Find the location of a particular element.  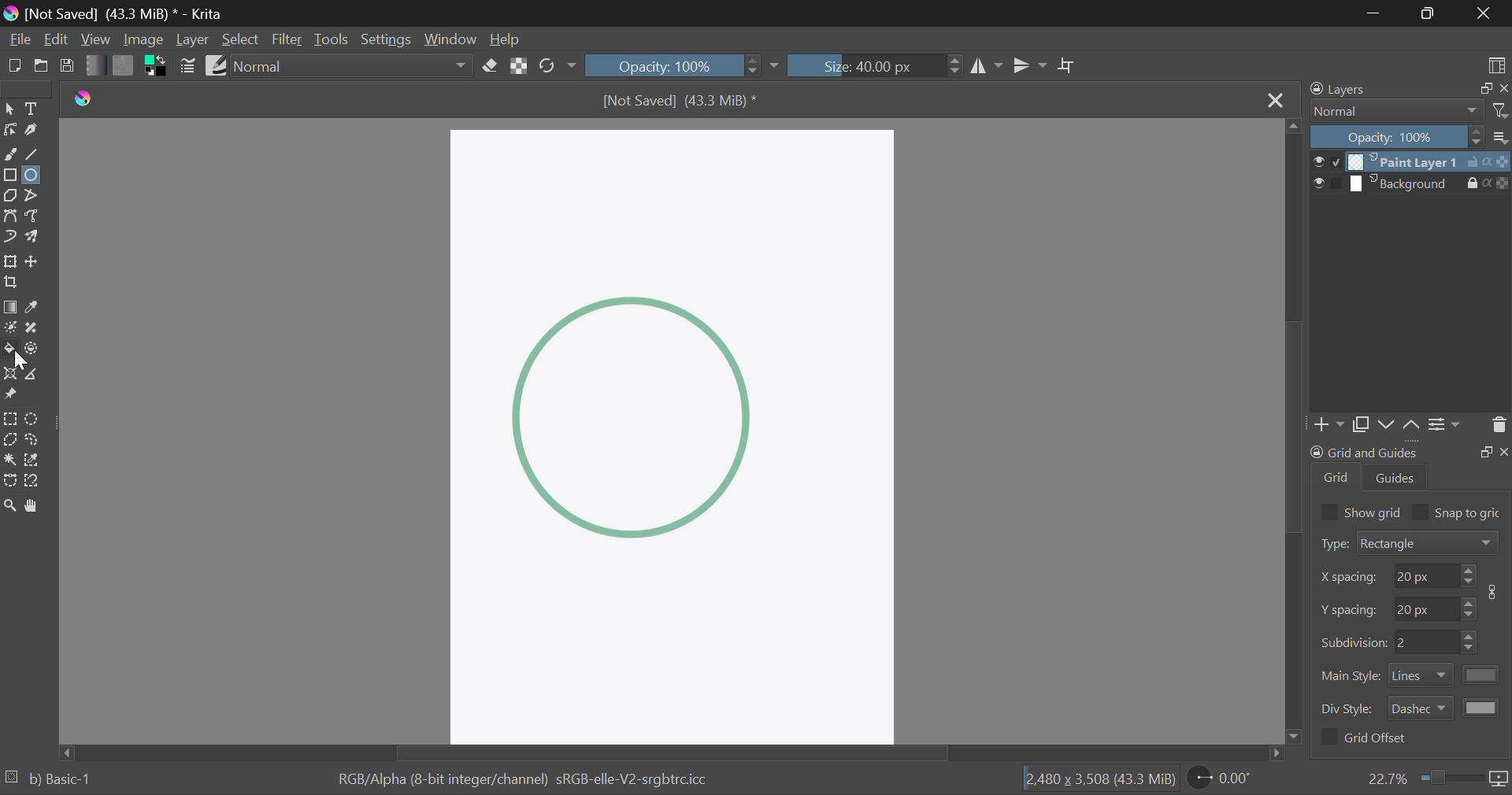

Help is located at coordinates (507, 41).